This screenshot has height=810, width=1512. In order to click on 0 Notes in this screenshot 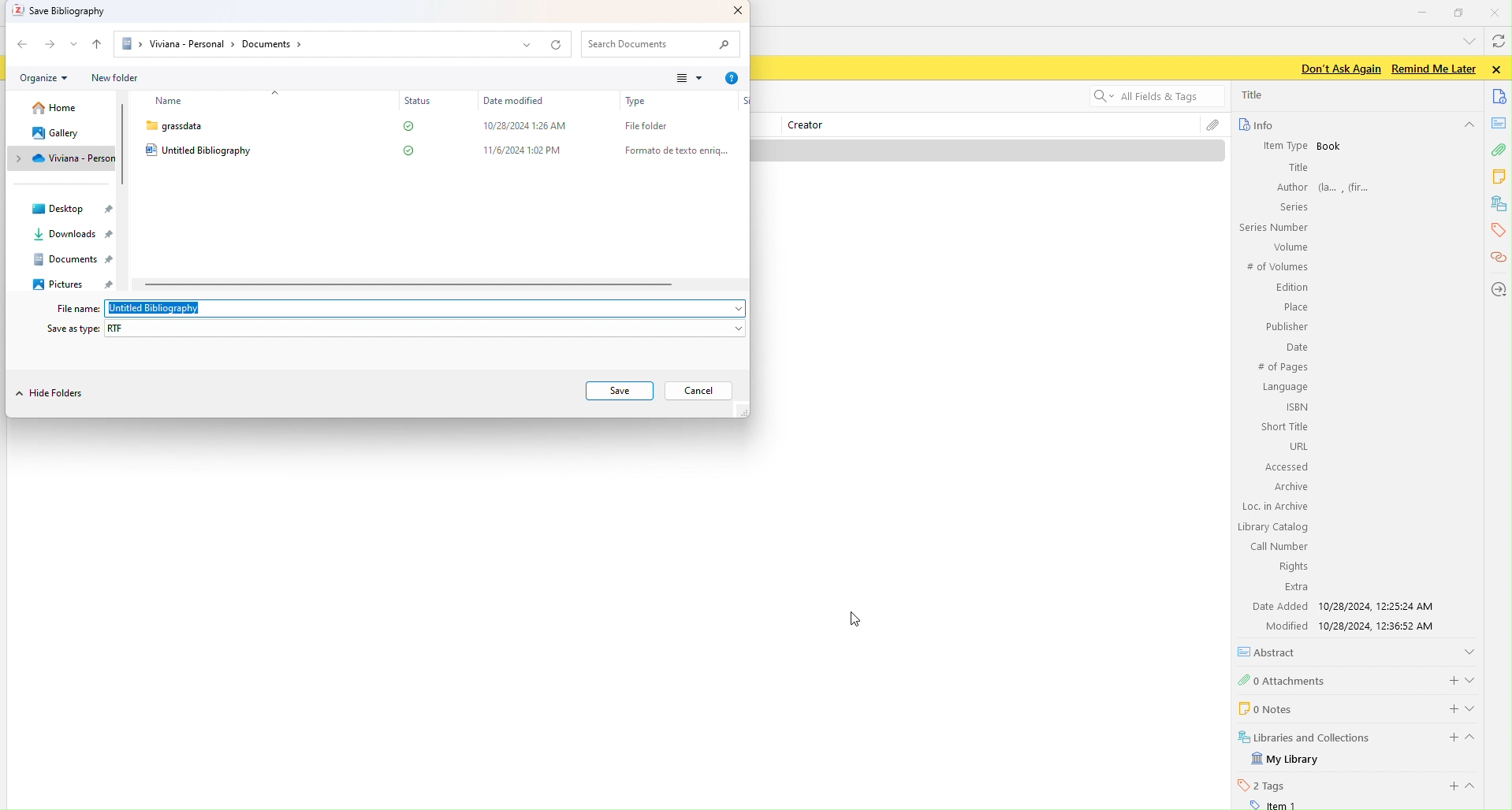, I will do `click(1264, 708)`.